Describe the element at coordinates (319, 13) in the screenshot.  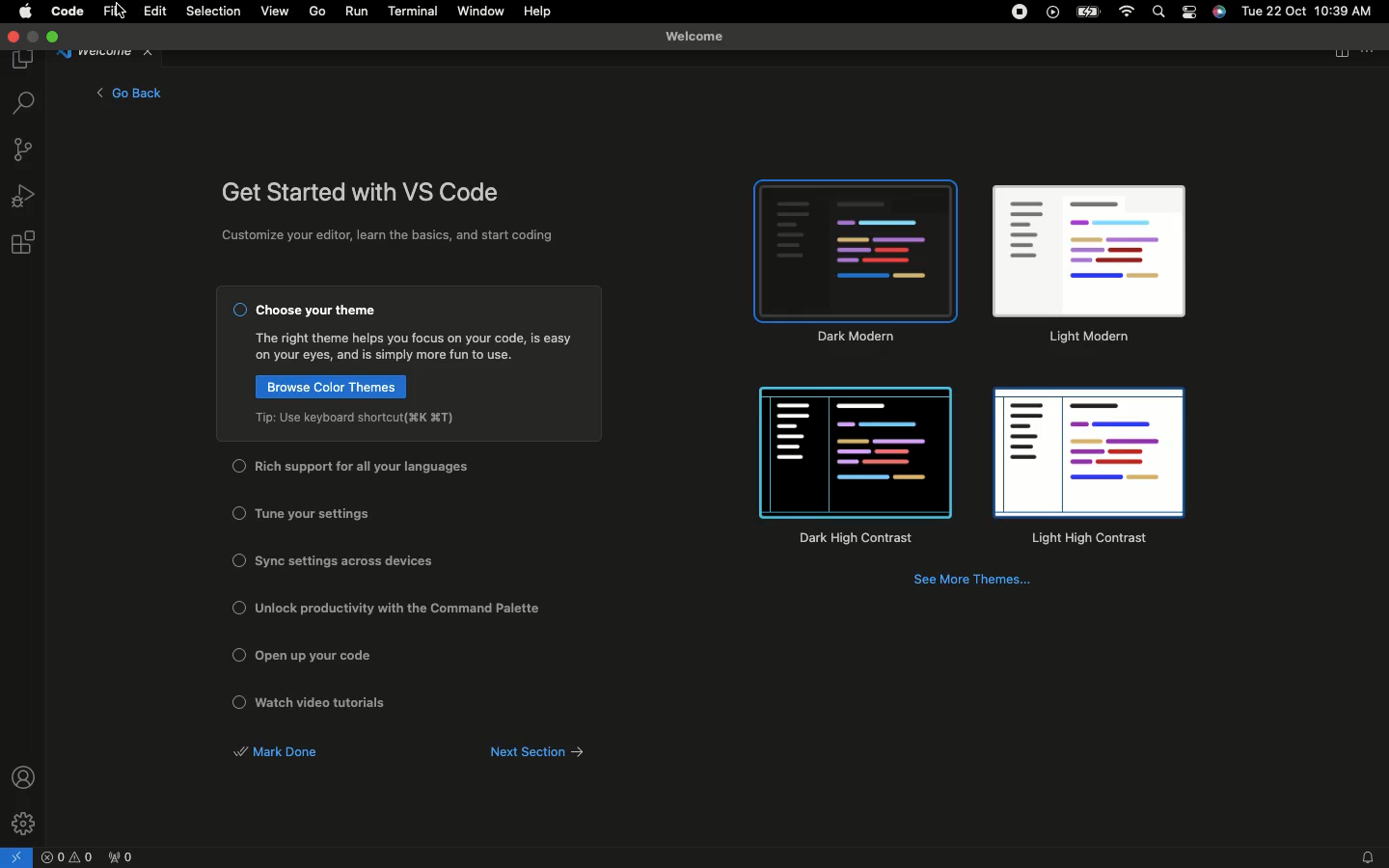
I see `Go` at that location.